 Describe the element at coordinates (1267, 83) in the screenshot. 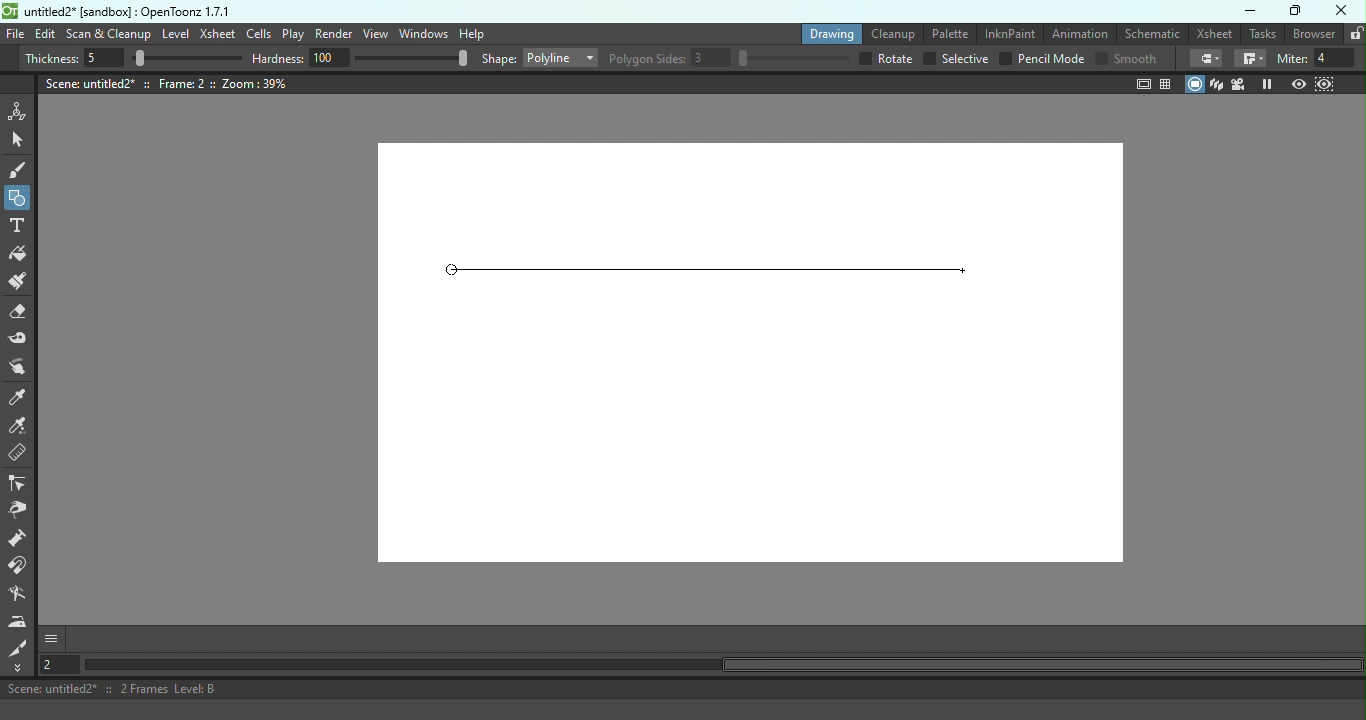

I see `Freeze` at that location.